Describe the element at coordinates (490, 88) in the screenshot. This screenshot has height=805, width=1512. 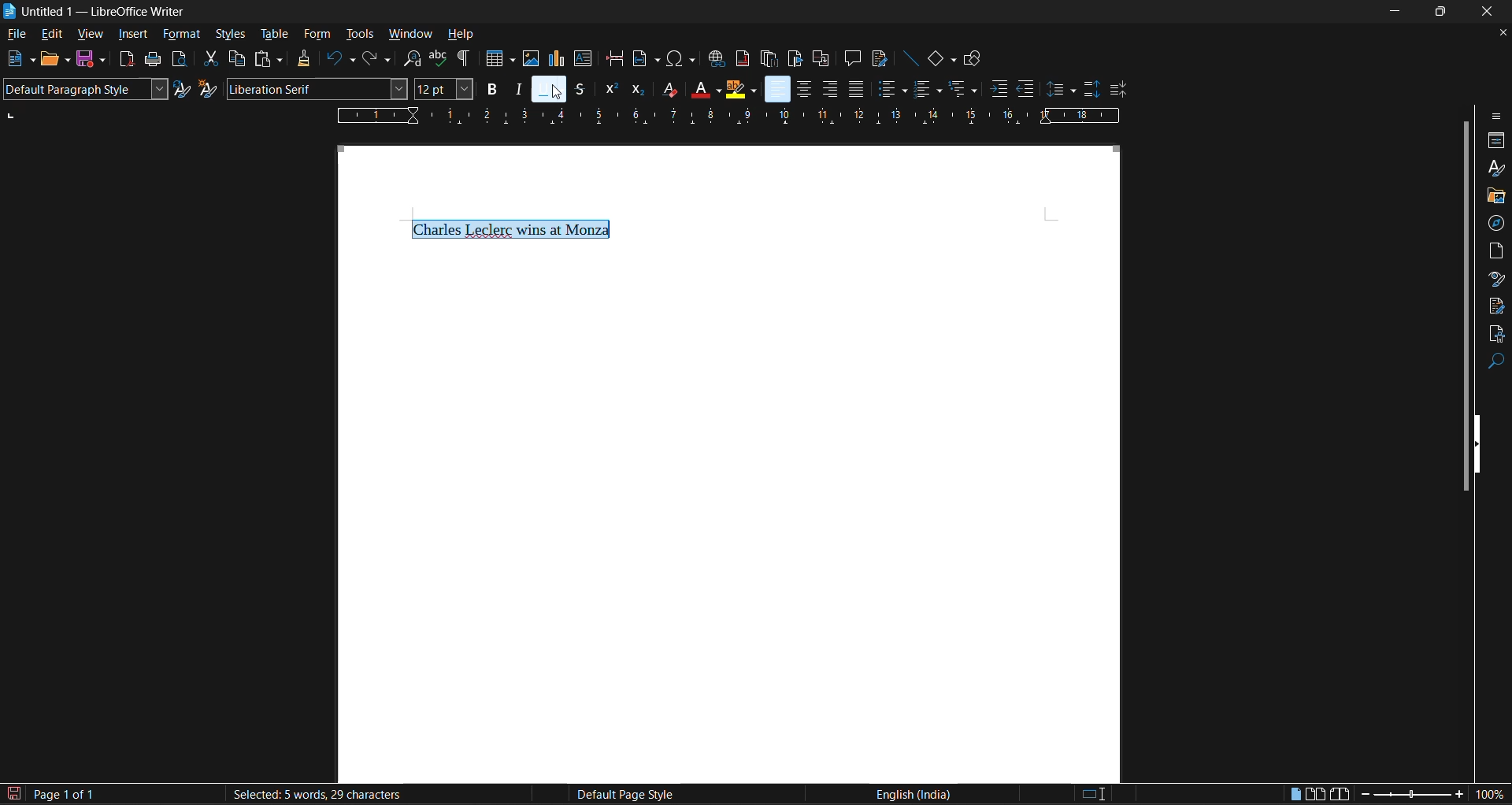
I see `bold` at that location.